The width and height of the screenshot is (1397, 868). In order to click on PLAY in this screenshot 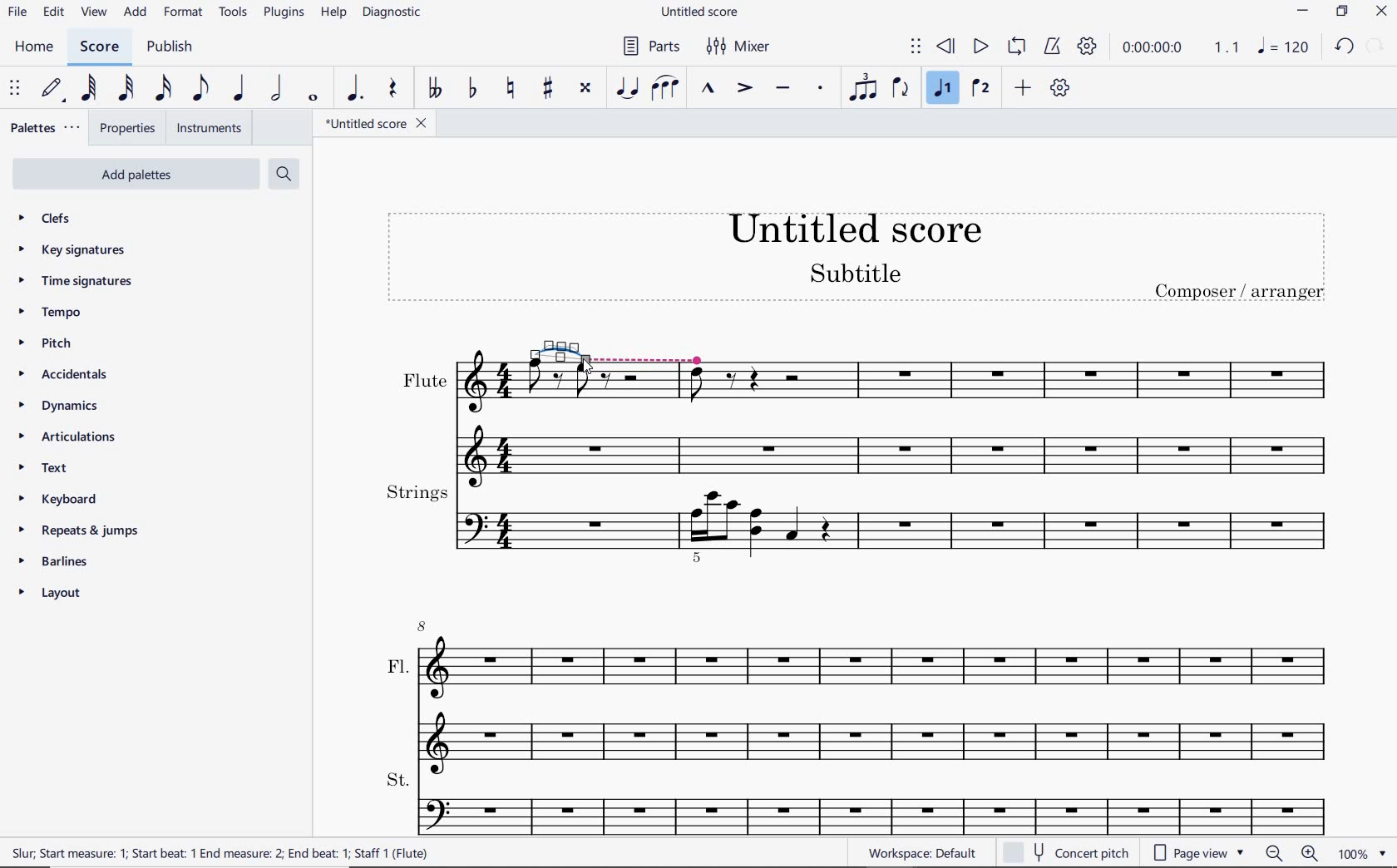, I will do `click(980, 45)`.